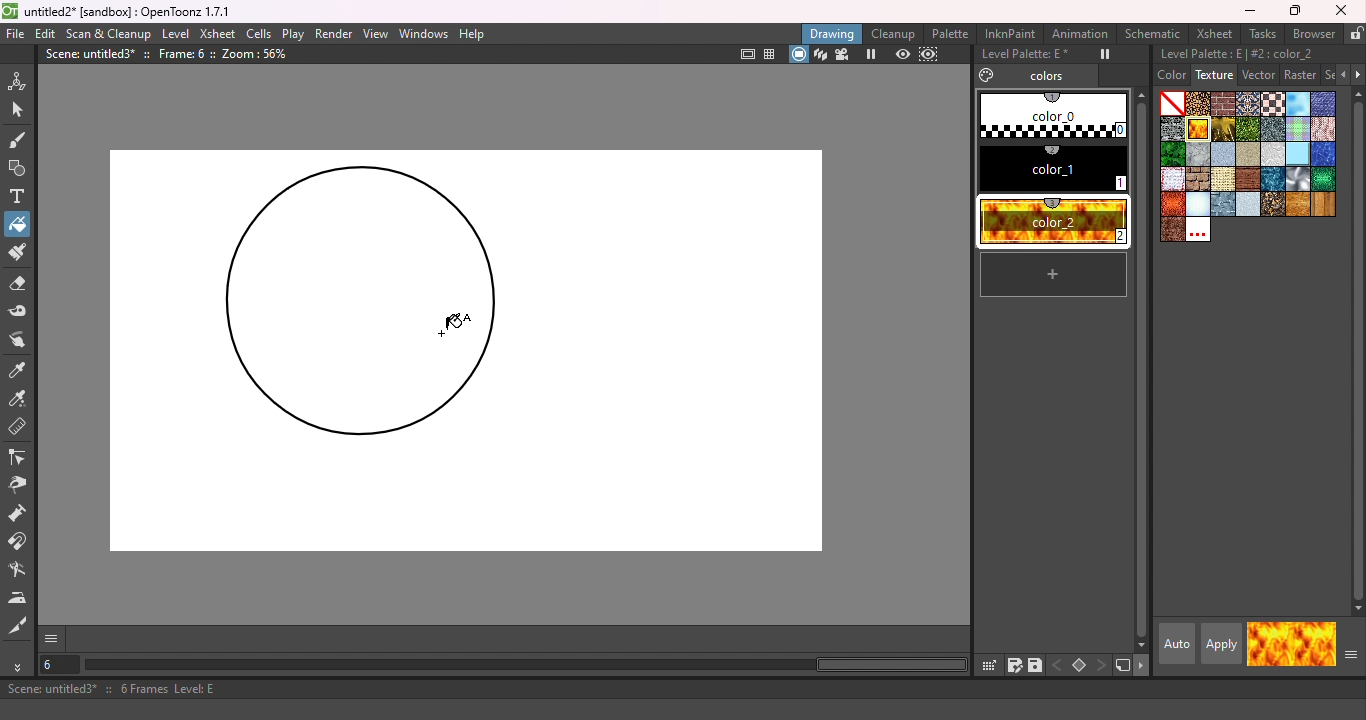  I want to click on Magnet tool, so click(18, 543).